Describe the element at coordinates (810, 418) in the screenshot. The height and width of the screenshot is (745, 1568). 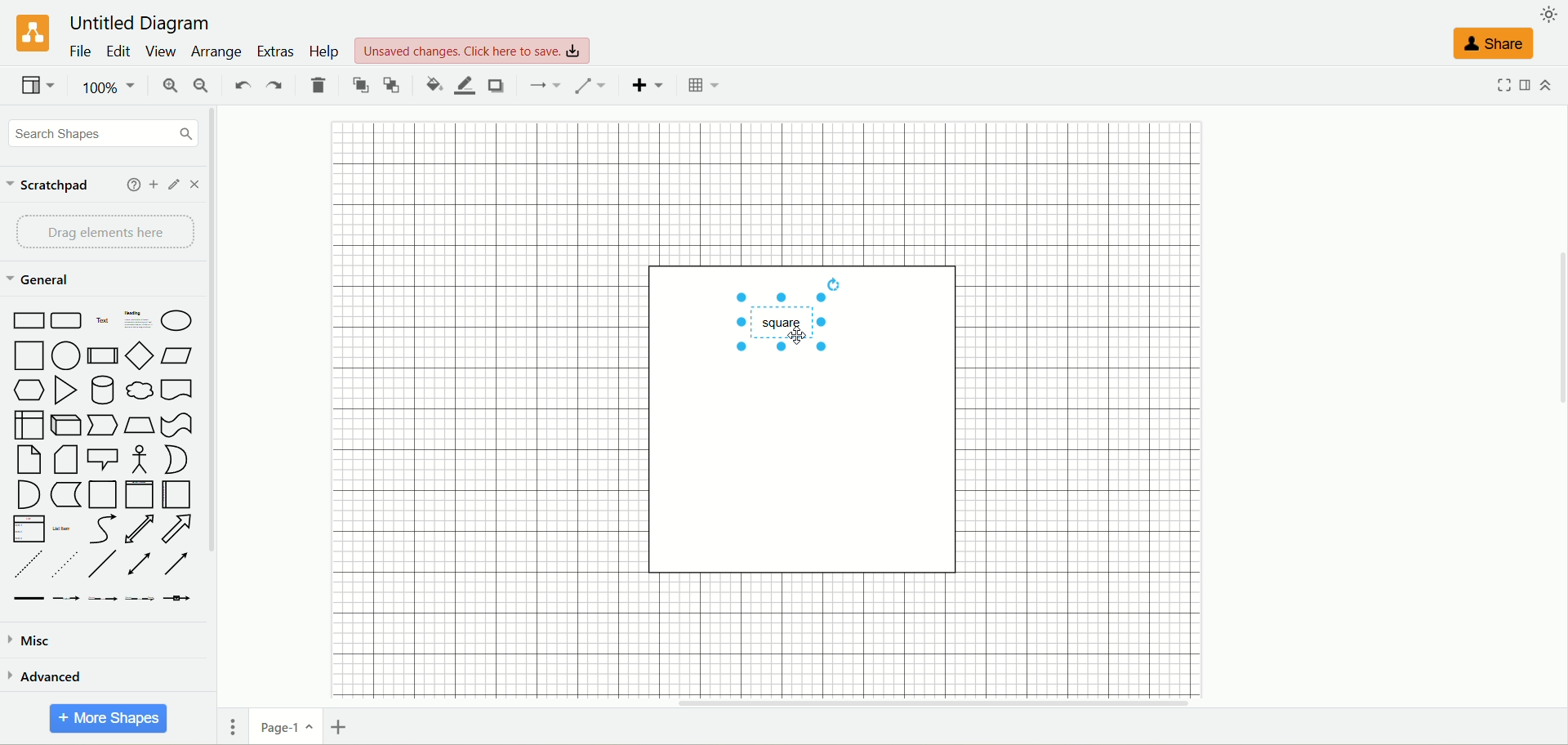
I see `artboard` at that location.